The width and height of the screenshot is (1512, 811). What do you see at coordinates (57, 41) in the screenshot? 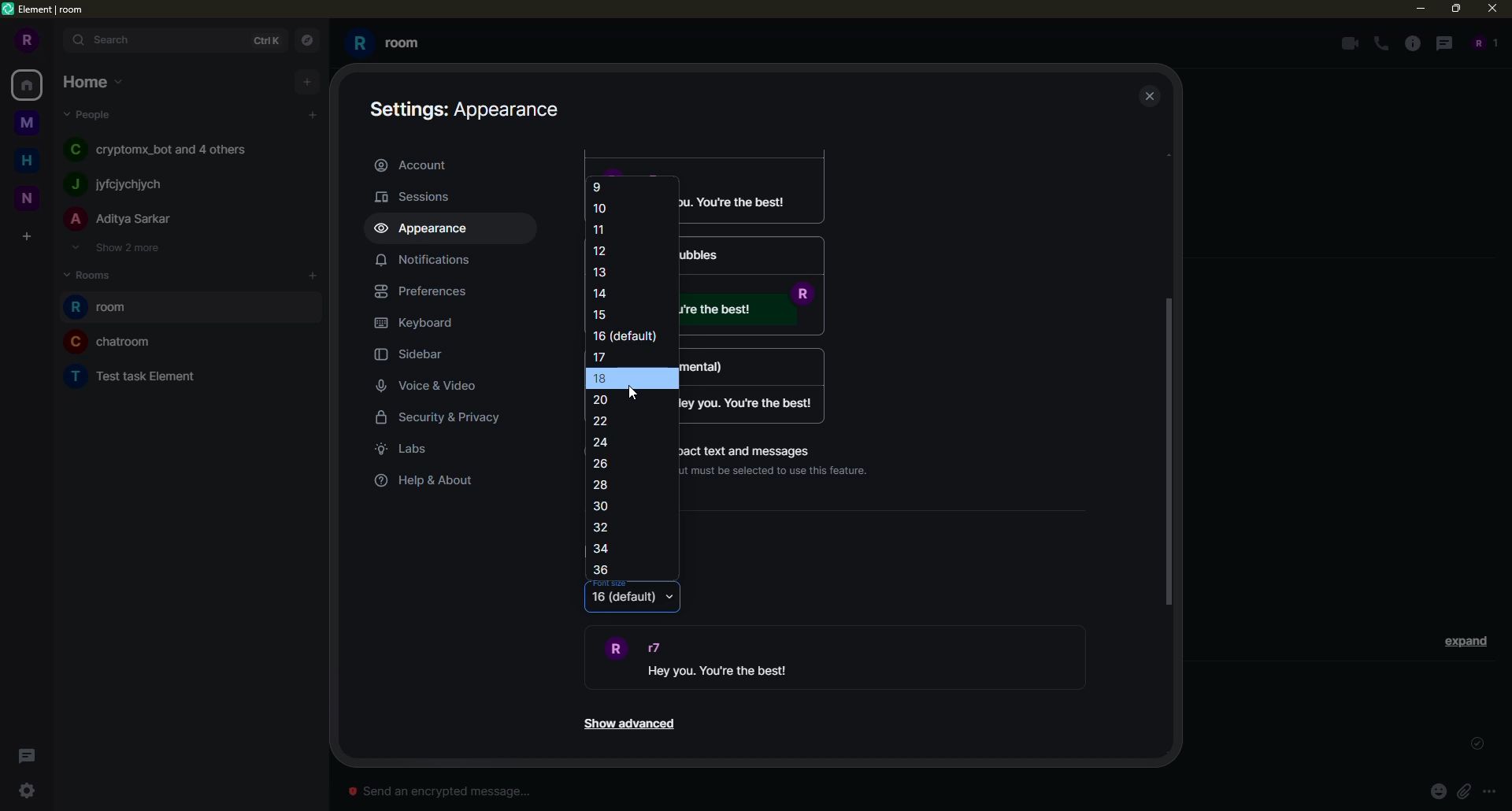
I see `expand` at bounding box center [57, 41].